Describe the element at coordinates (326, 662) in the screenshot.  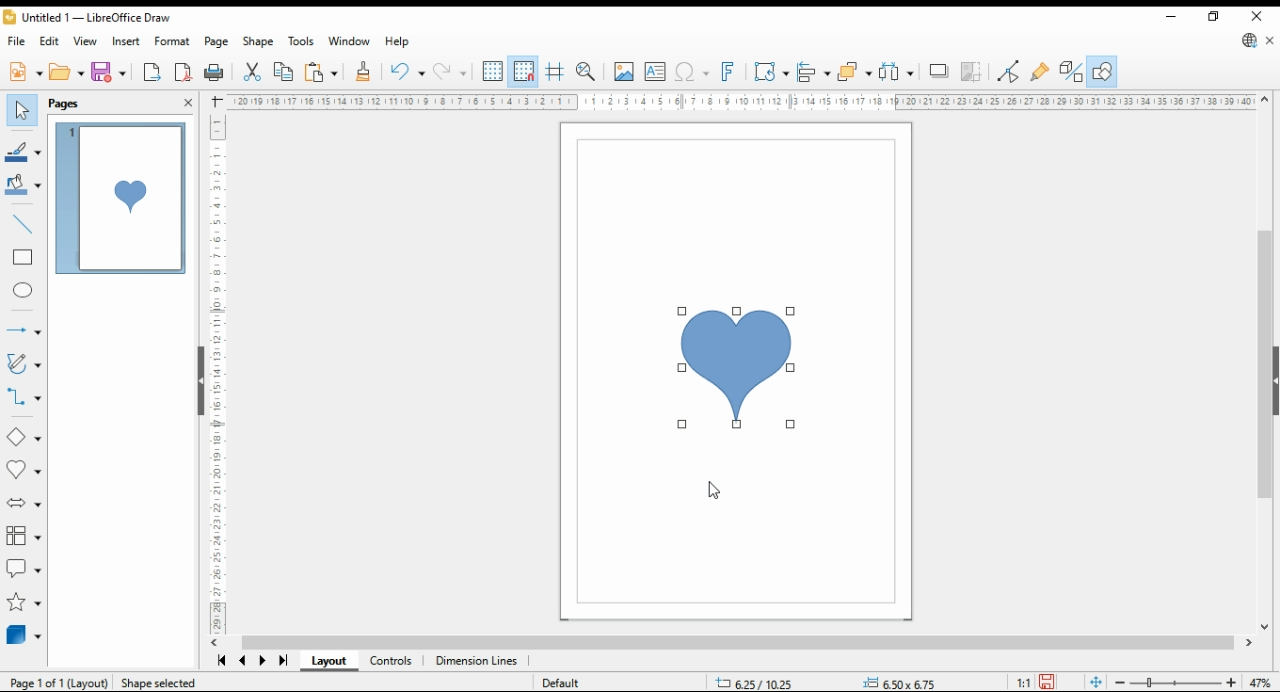
I see `layout` at that location.